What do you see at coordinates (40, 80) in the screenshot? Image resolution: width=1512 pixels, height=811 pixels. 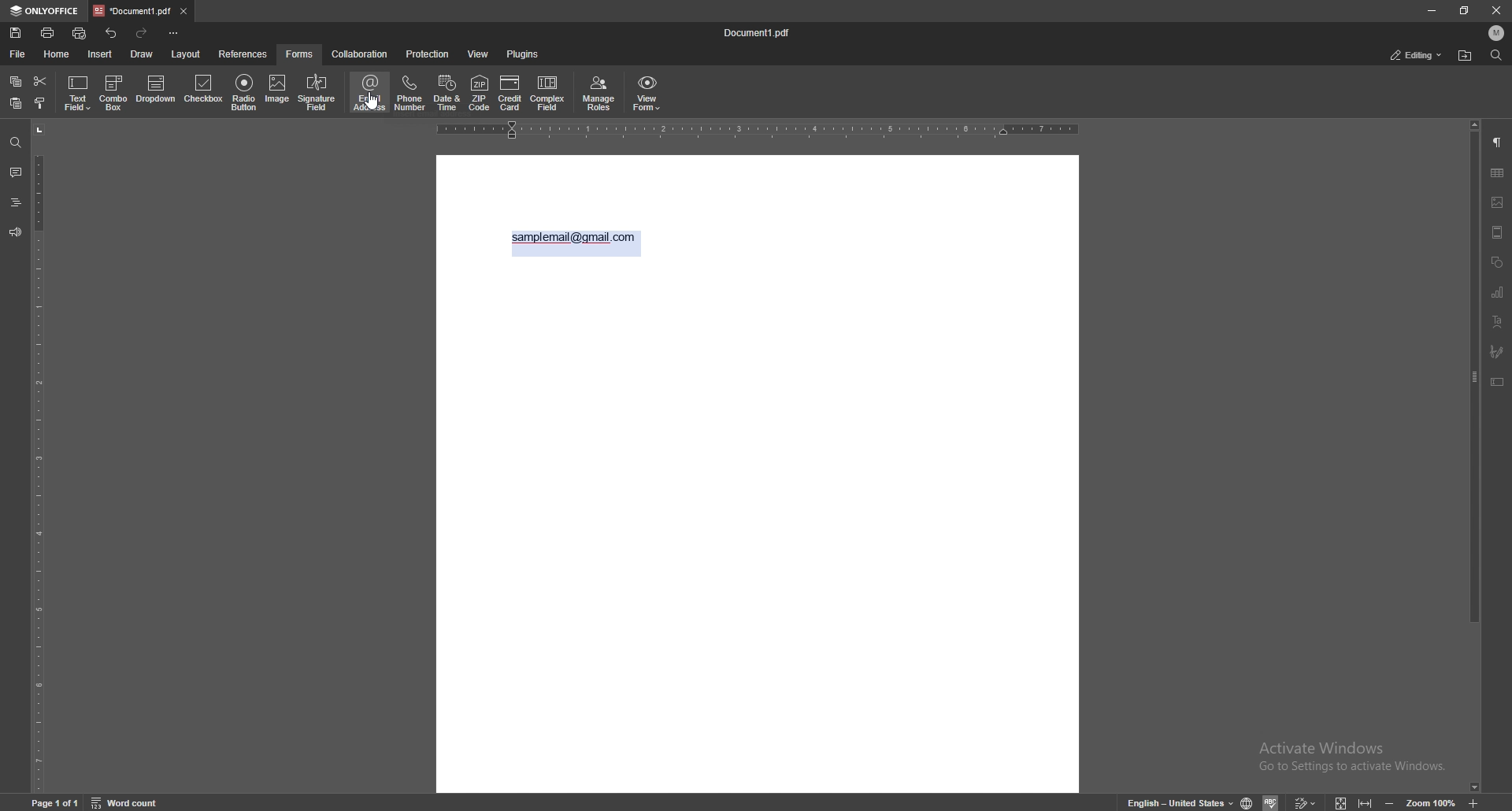 I see `cut` at bounding box center [40, 80].